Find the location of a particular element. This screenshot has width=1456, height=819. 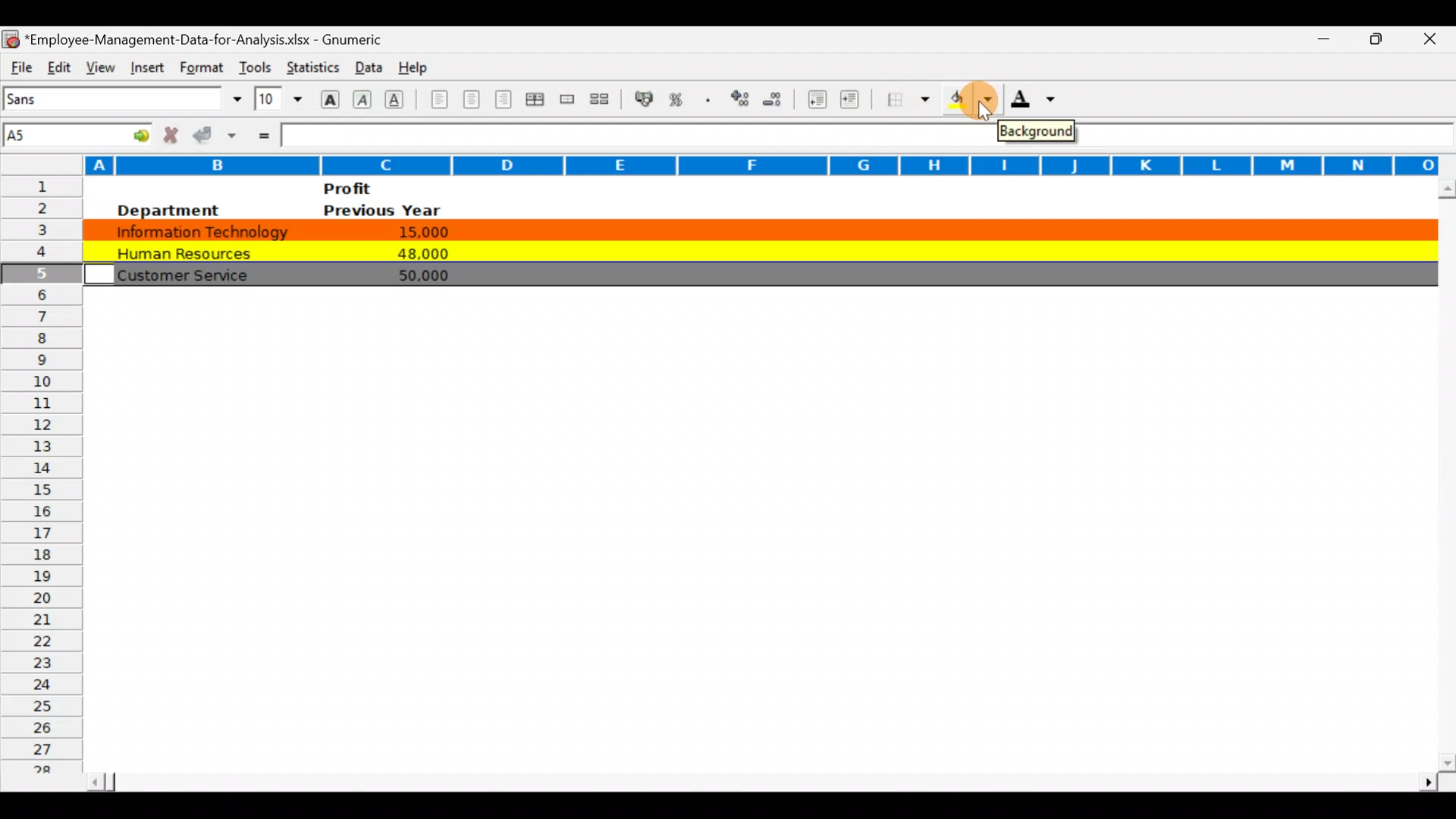

Format selection as percentage is located at coordinates (681, 99).